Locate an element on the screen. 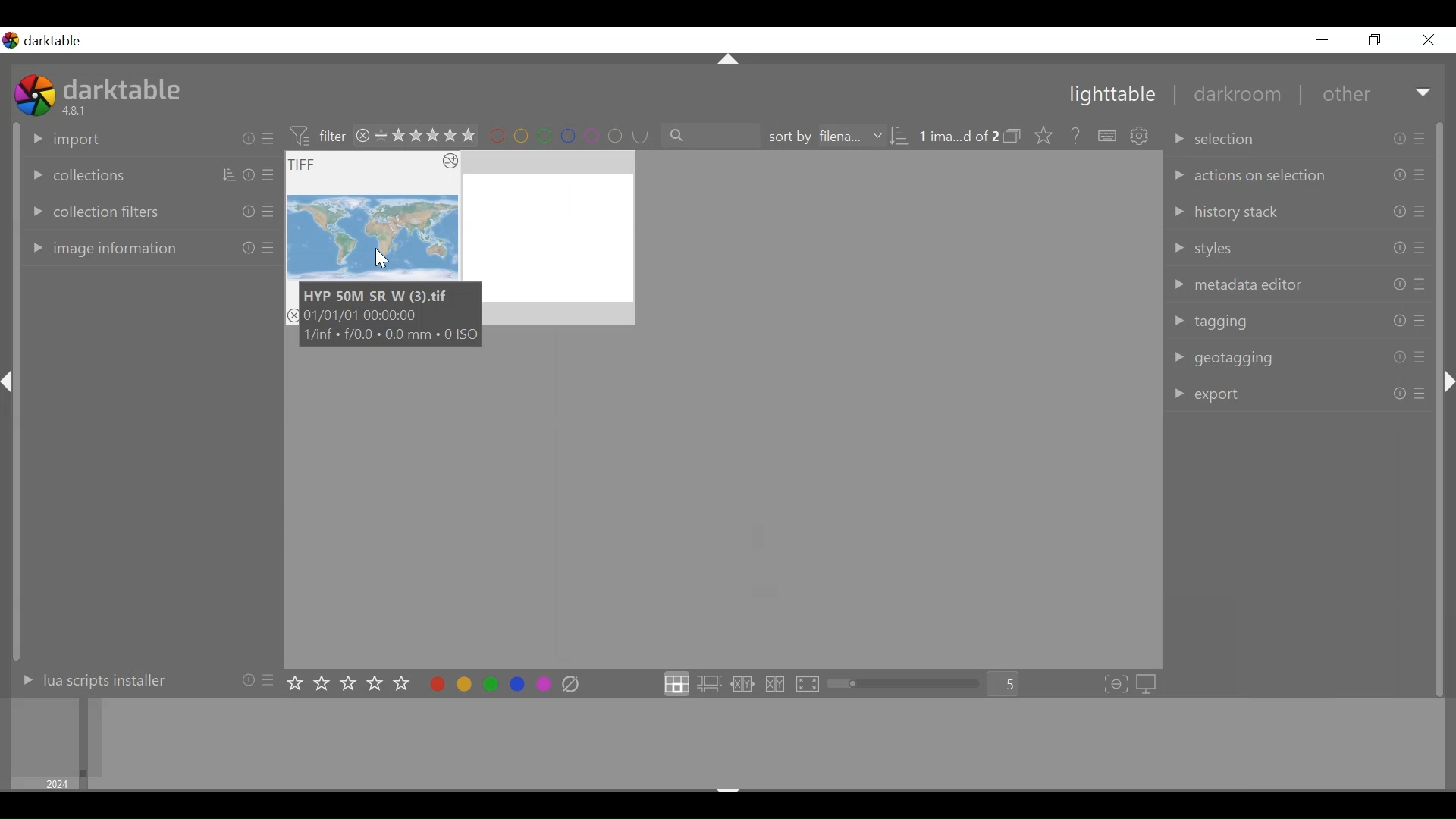  history pack is located at coordinates (1298, 209).